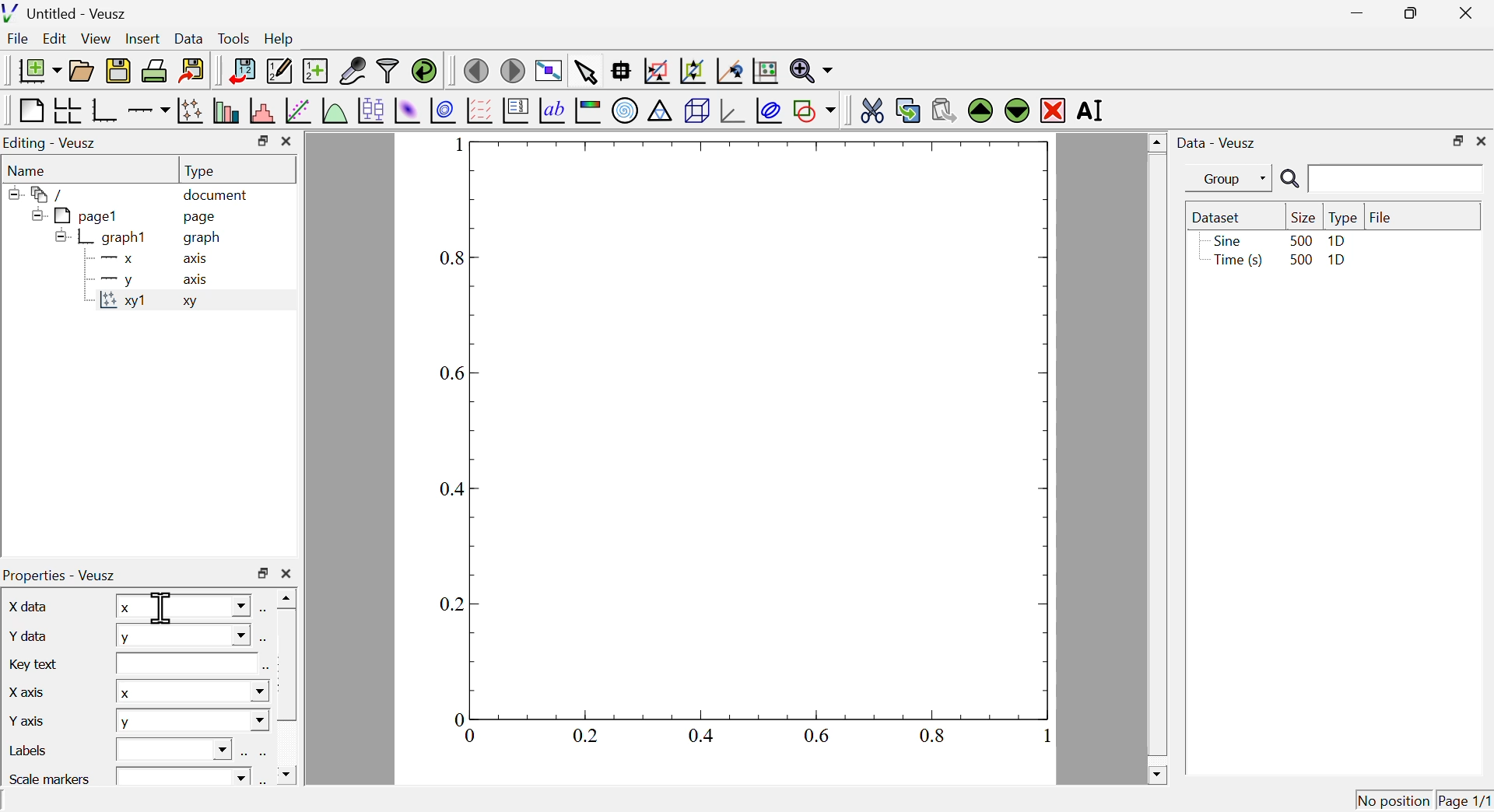 The height and width of the screenshot is (812, 1494). What do you see at coordinates (763, 72) in the screenshot?
I see `rest graph axes` at bounding box center [763, 72].